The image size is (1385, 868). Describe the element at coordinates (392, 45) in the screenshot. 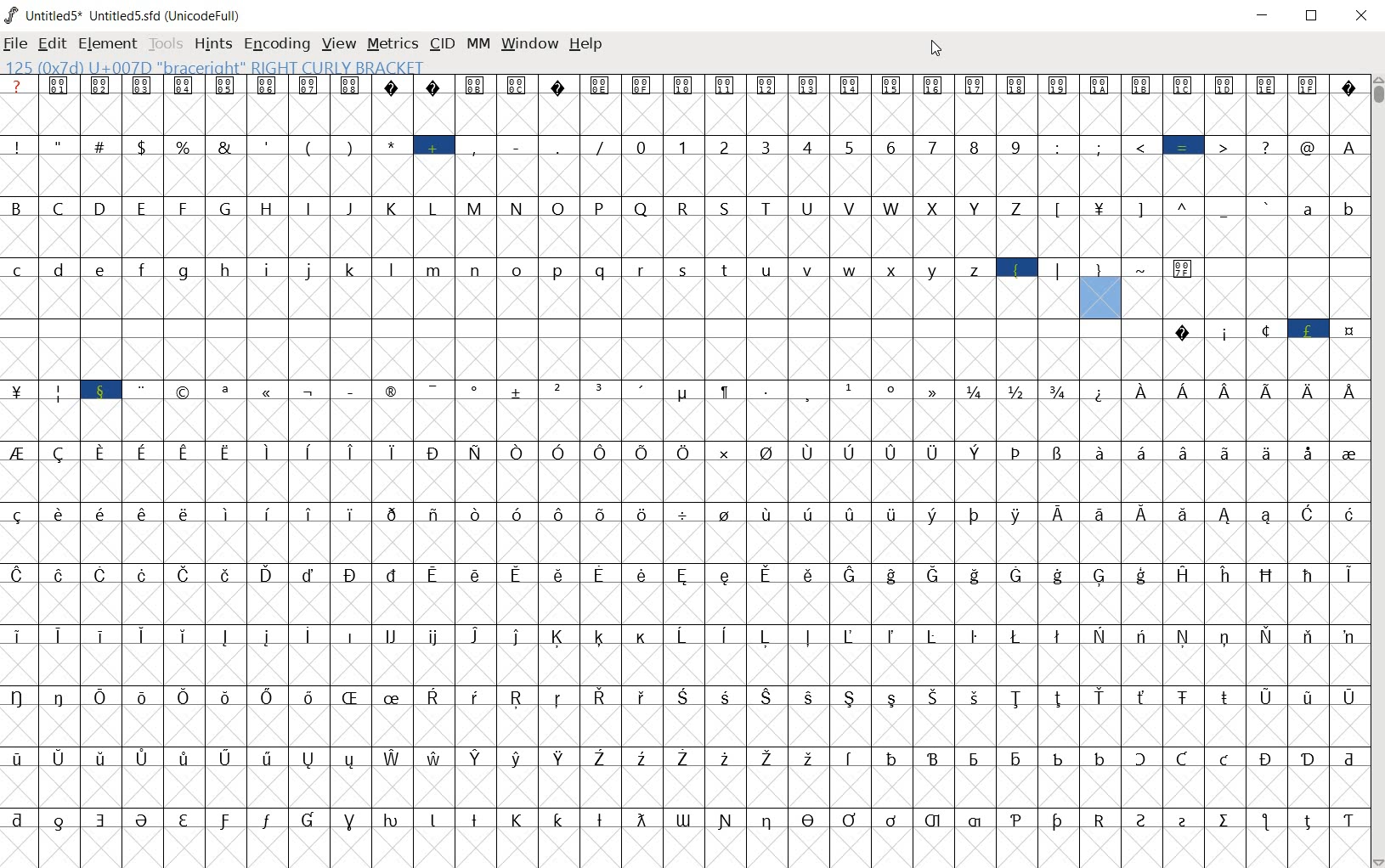

I see `METRICS` at that location.